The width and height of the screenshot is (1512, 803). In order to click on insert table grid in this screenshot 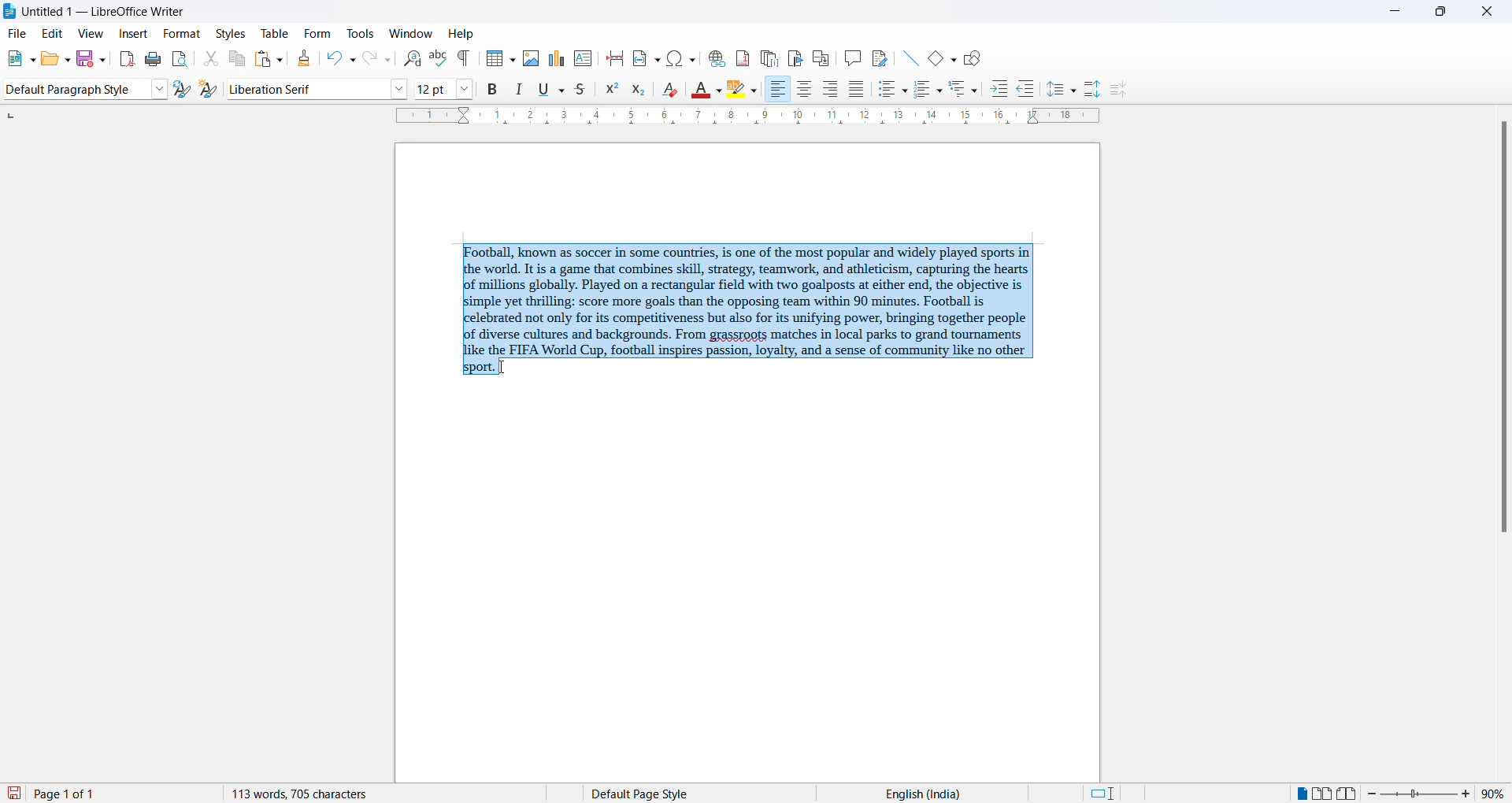, I will do `click(512, 58)`.